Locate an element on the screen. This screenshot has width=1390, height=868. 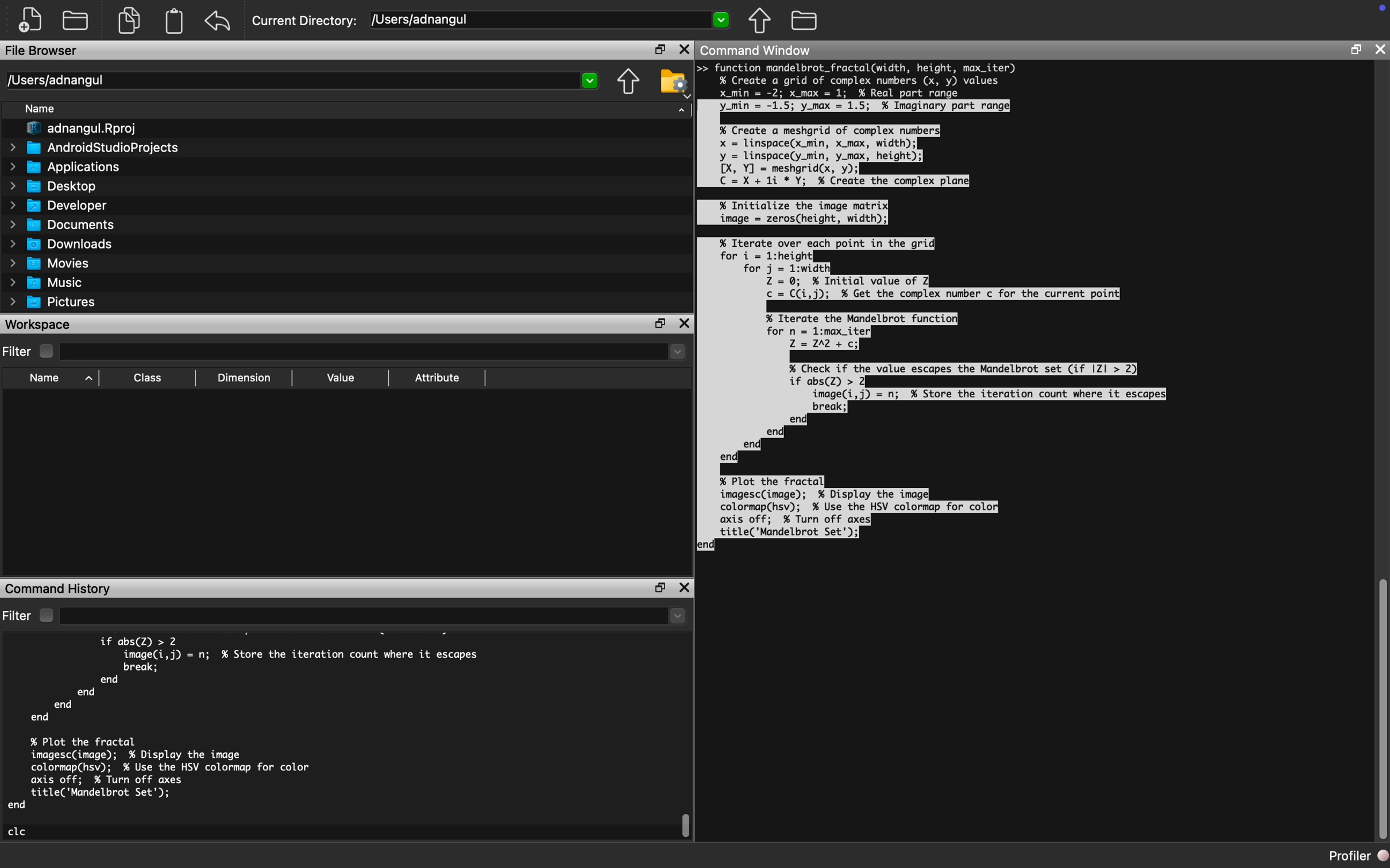
Checkbox is located at coordinates (45, 615).